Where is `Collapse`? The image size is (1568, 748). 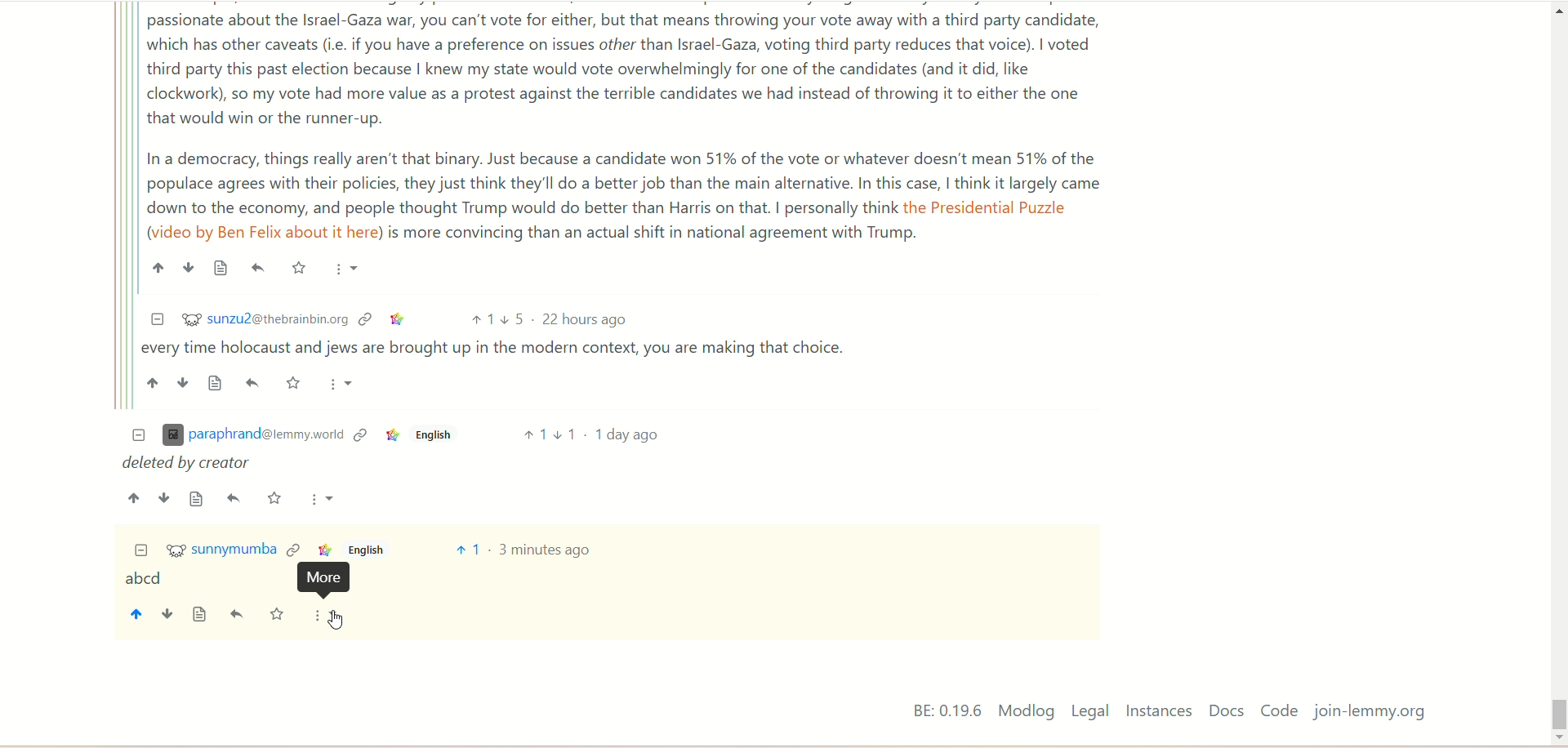 Collapse is located at coordinates (141, 551).